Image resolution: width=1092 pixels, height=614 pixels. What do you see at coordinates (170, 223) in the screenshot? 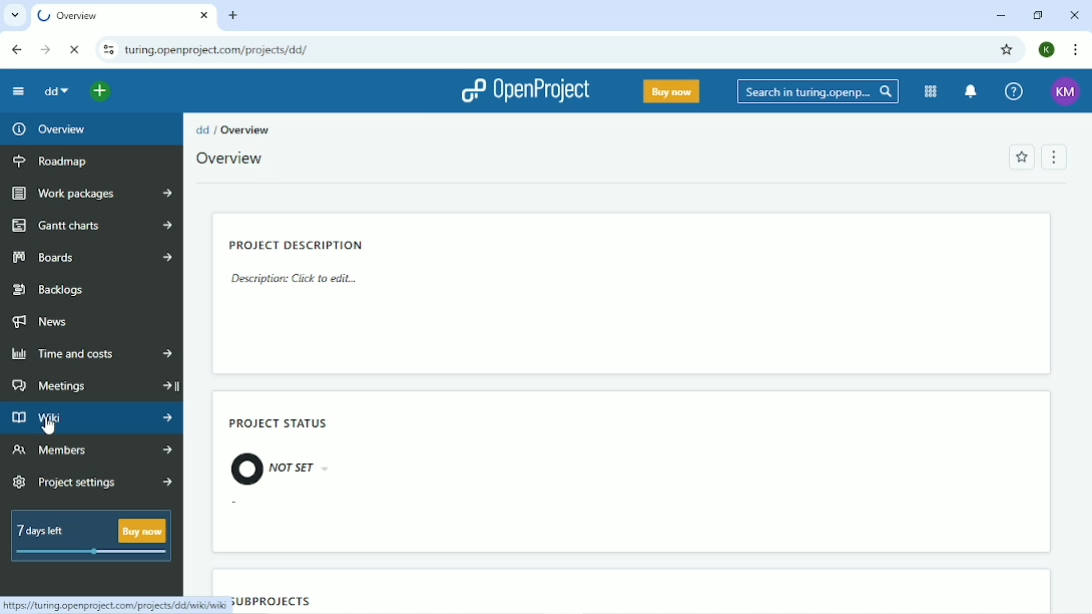
I see `More` at bounding box center [170, 223].